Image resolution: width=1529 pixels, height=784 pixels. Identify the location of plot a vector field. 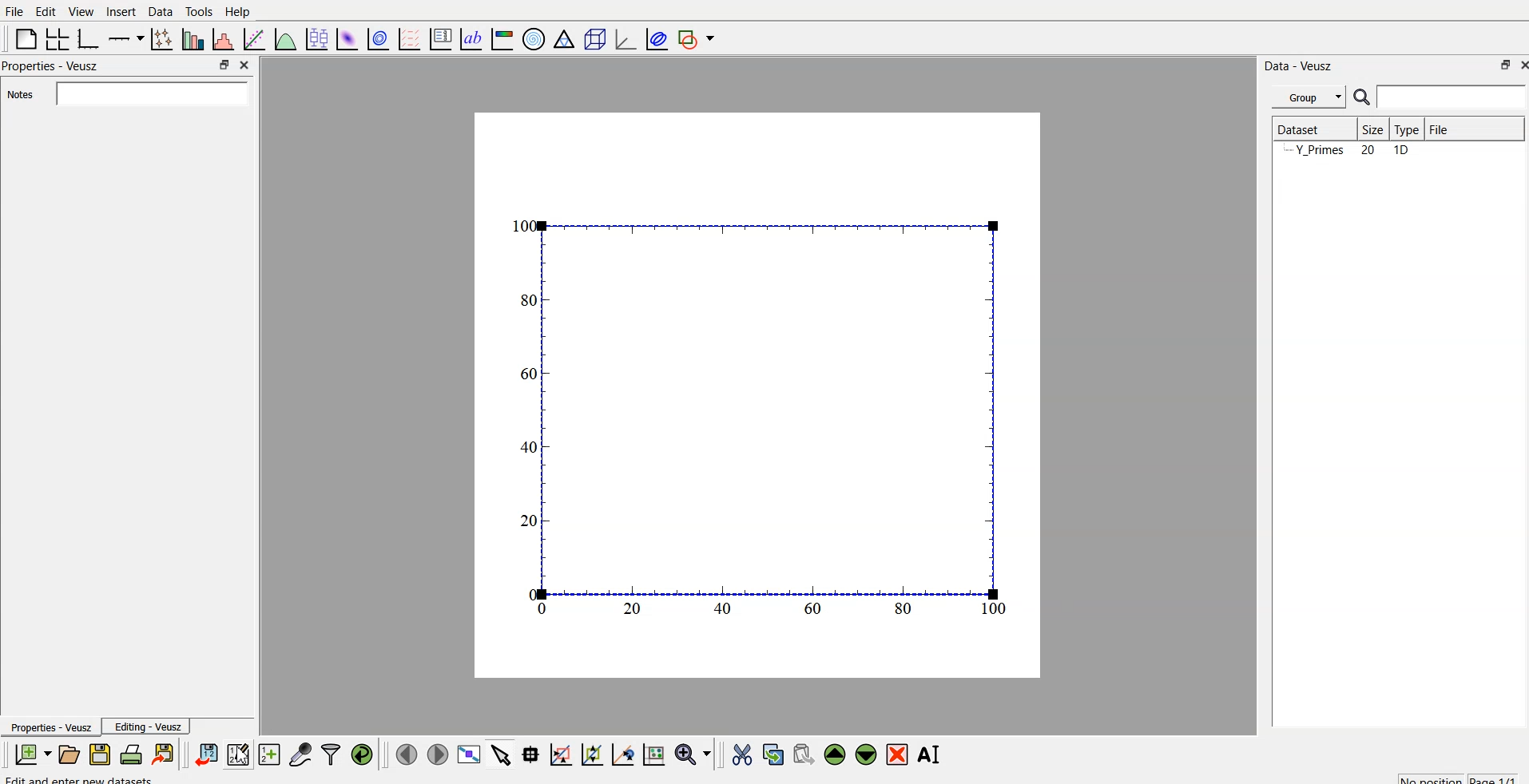
(412, 38).